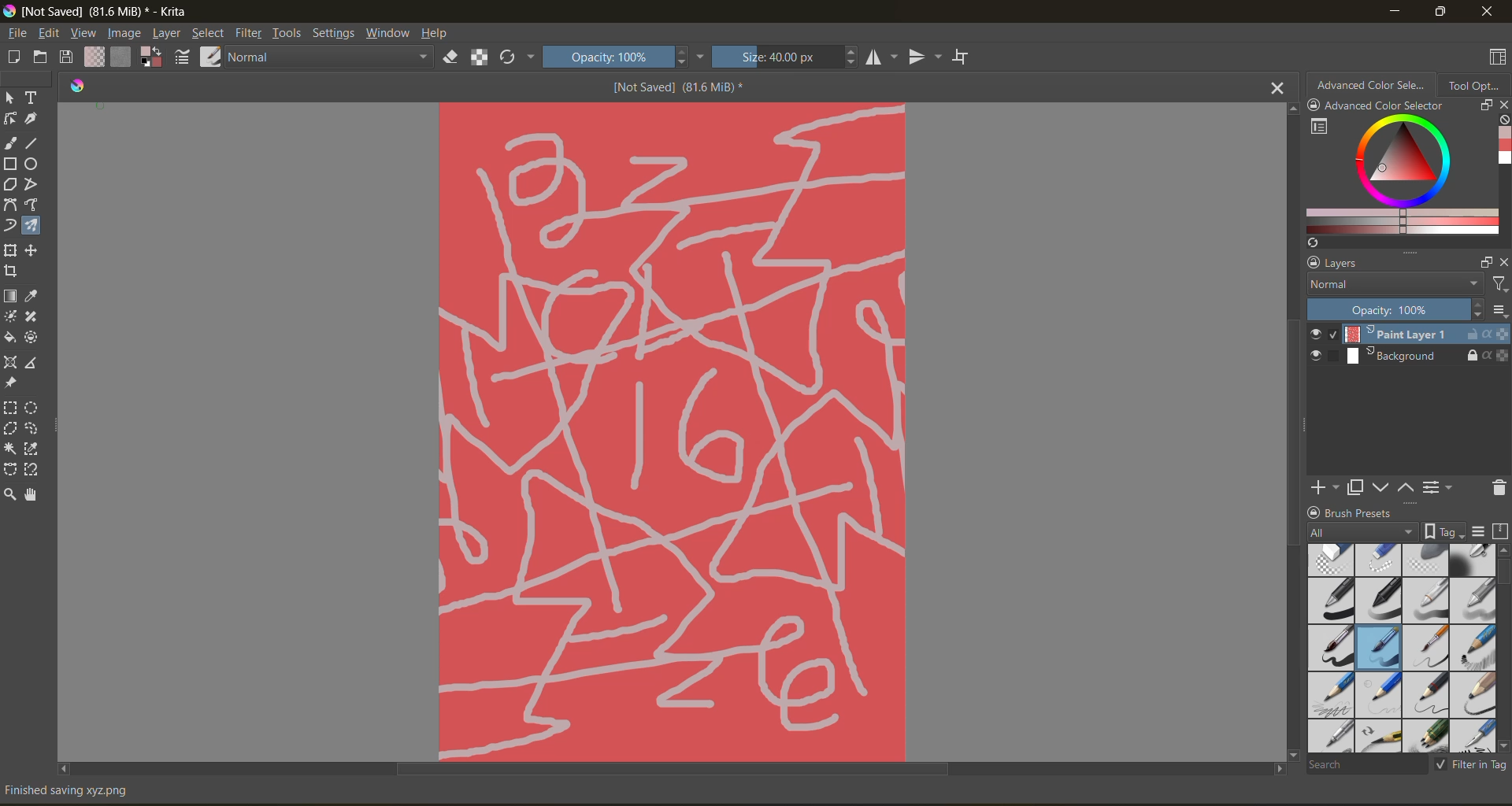  Describe the element at coordinates (166, 34) in the screenshot. I see `layer` at that location.